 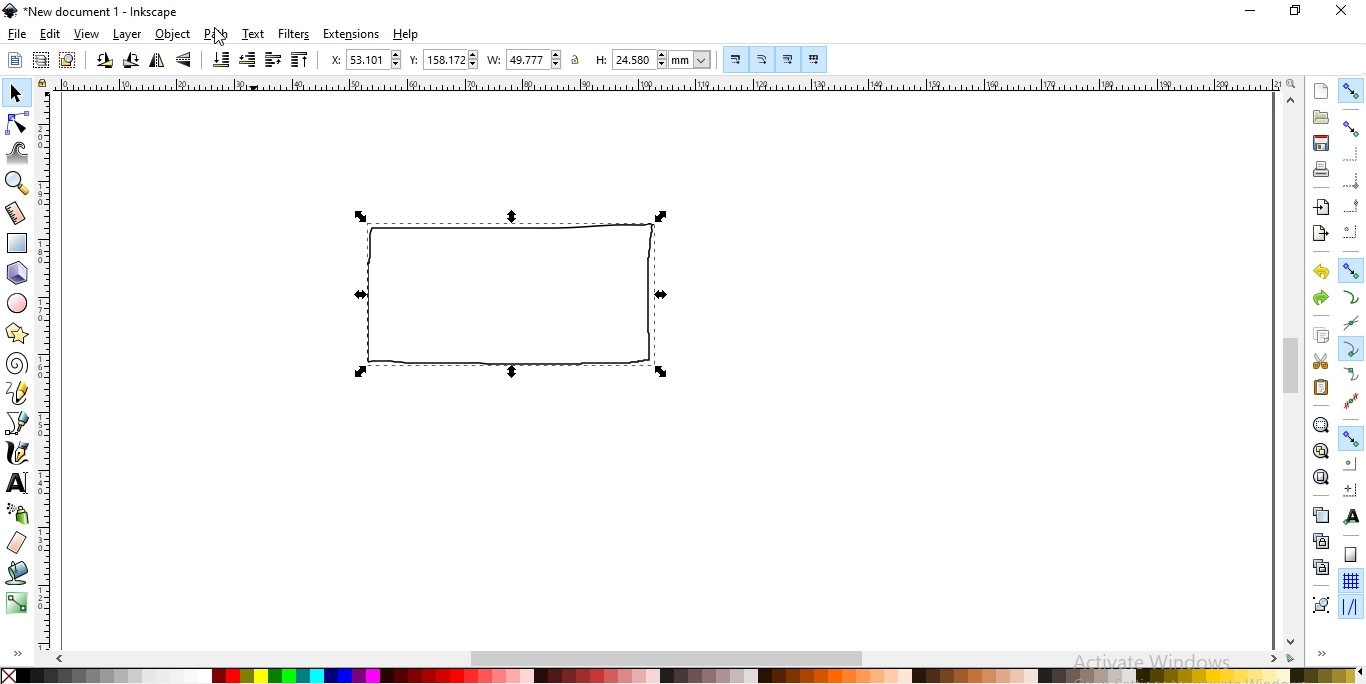 I want to click on cut, so click(x=1320, y=363).